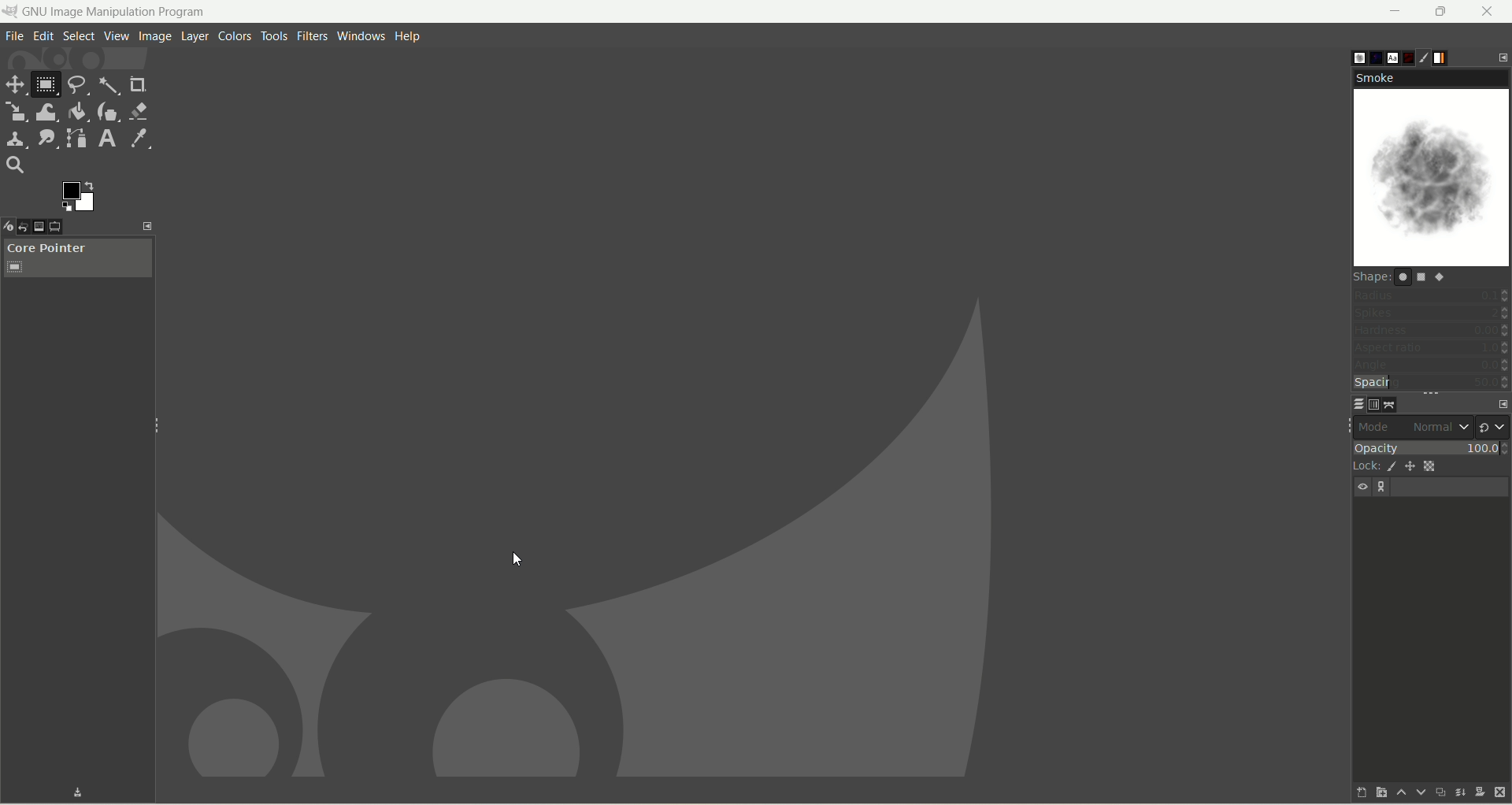 The image size is (1512, 805). What do you see at coordinates (193, 37) in the screenshot?
I see `layer` at bounding box center [193, 37].